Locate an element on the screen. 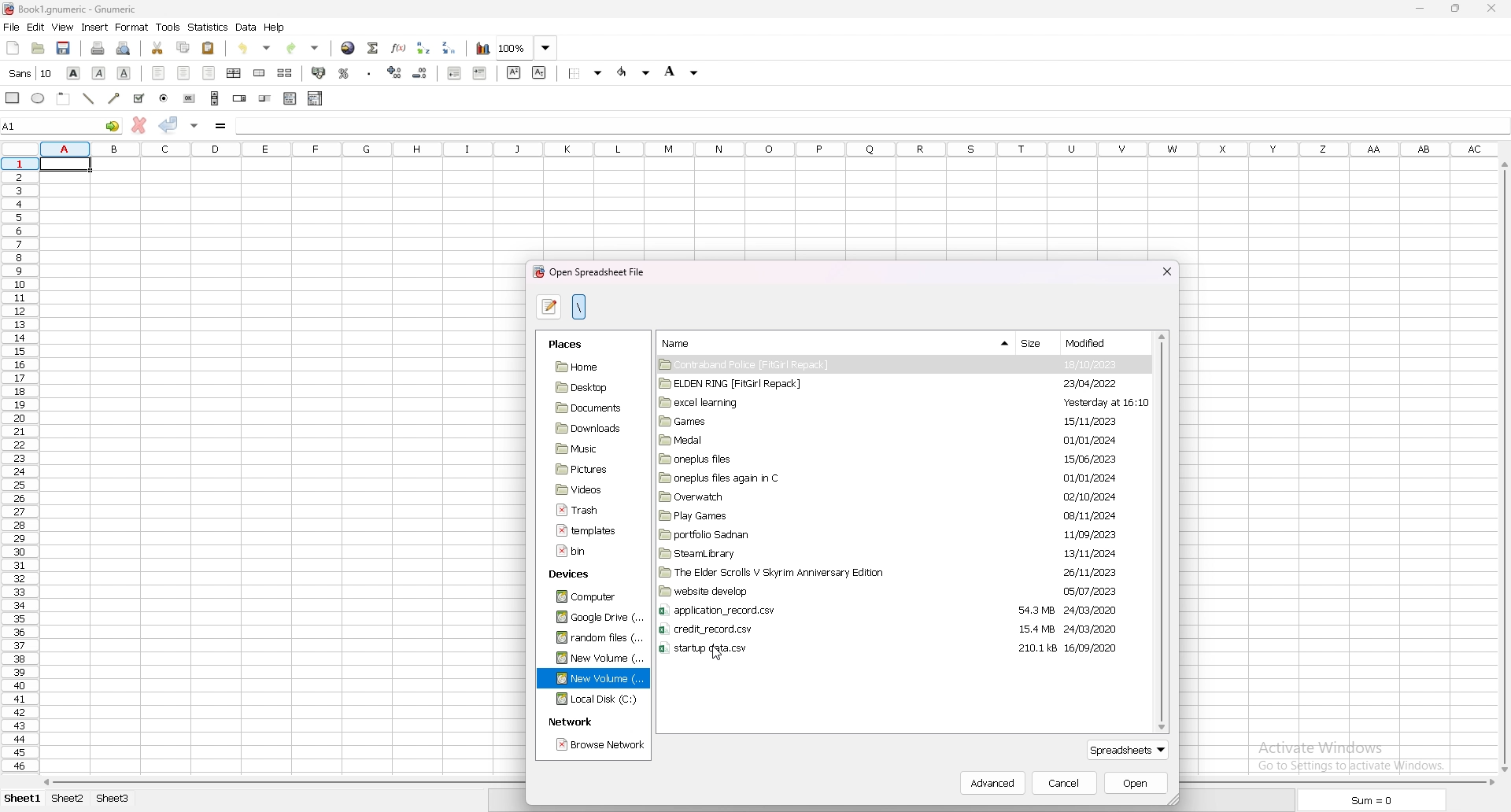  file is located at coordinates (11, 27).